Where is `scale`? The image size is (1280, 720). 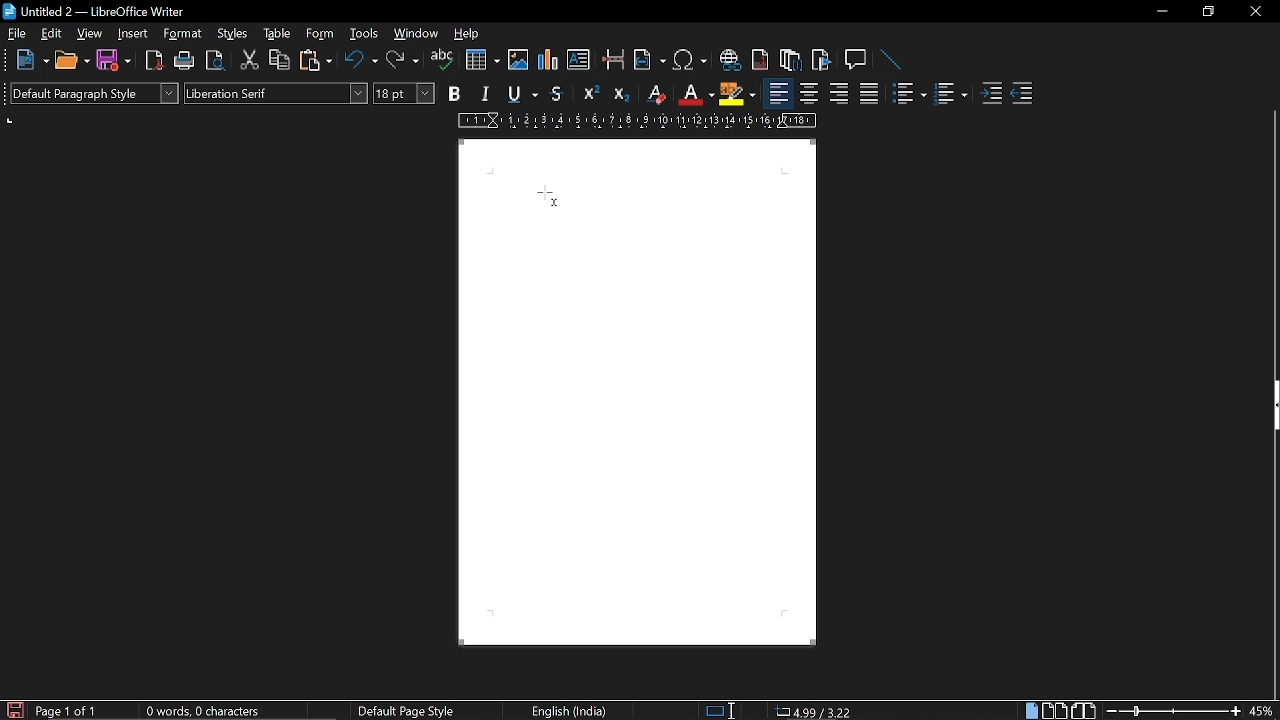
scale is located at coordinates (637, 121).